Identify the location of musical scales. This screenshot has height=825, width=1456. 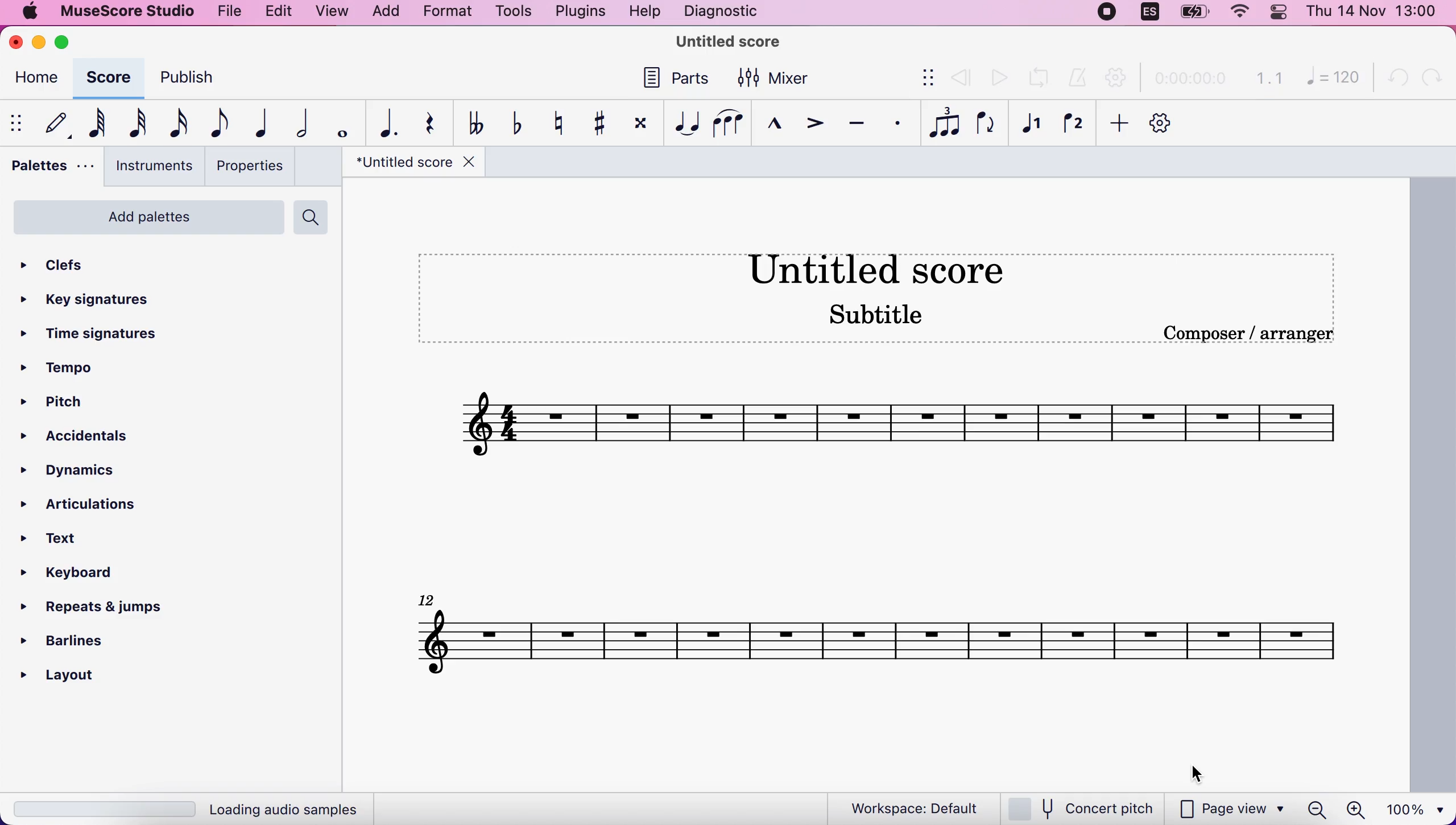
(879, 637).